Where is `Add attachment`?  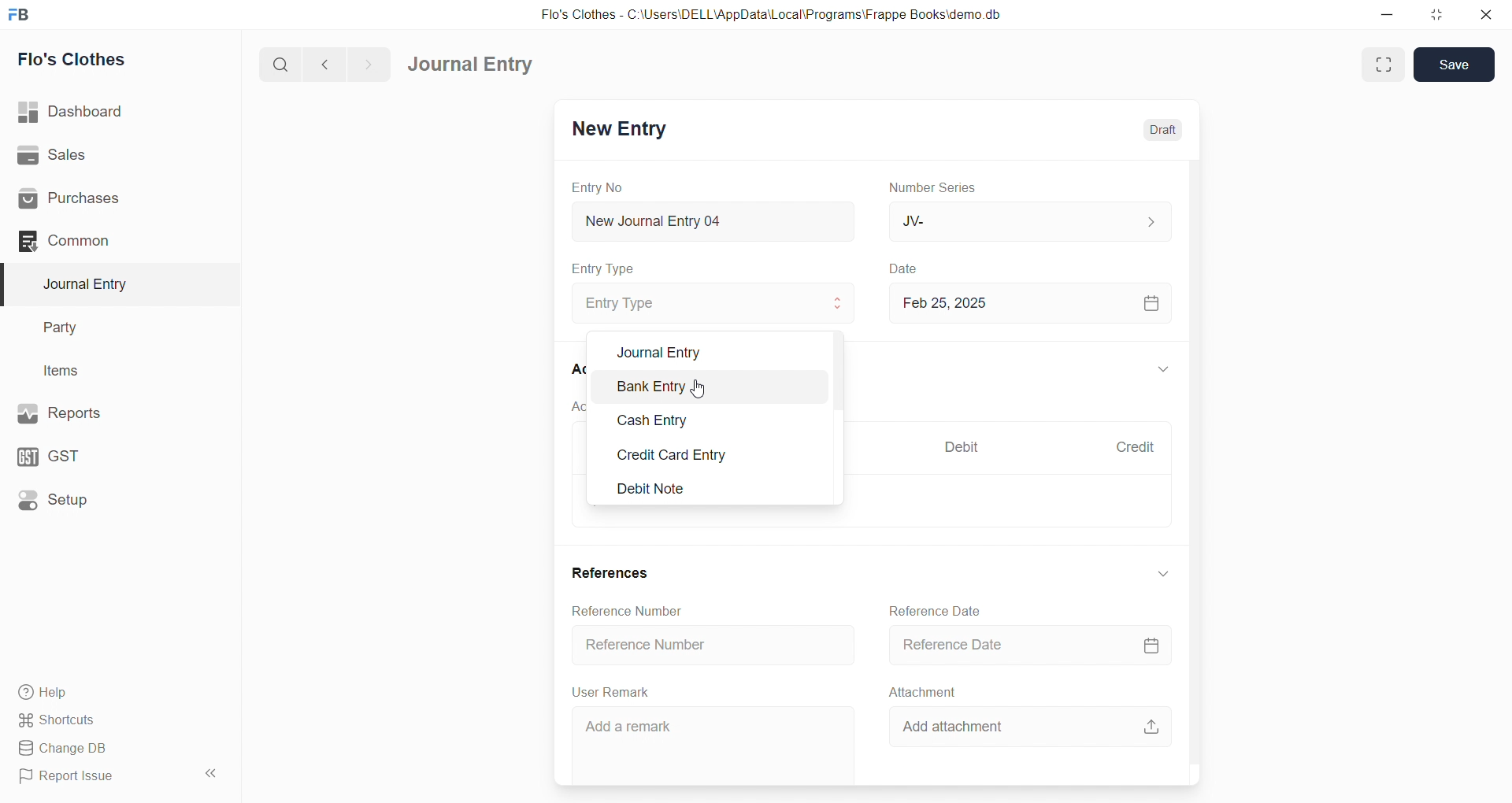 Add attachment is located at coordinates (1036, 723).